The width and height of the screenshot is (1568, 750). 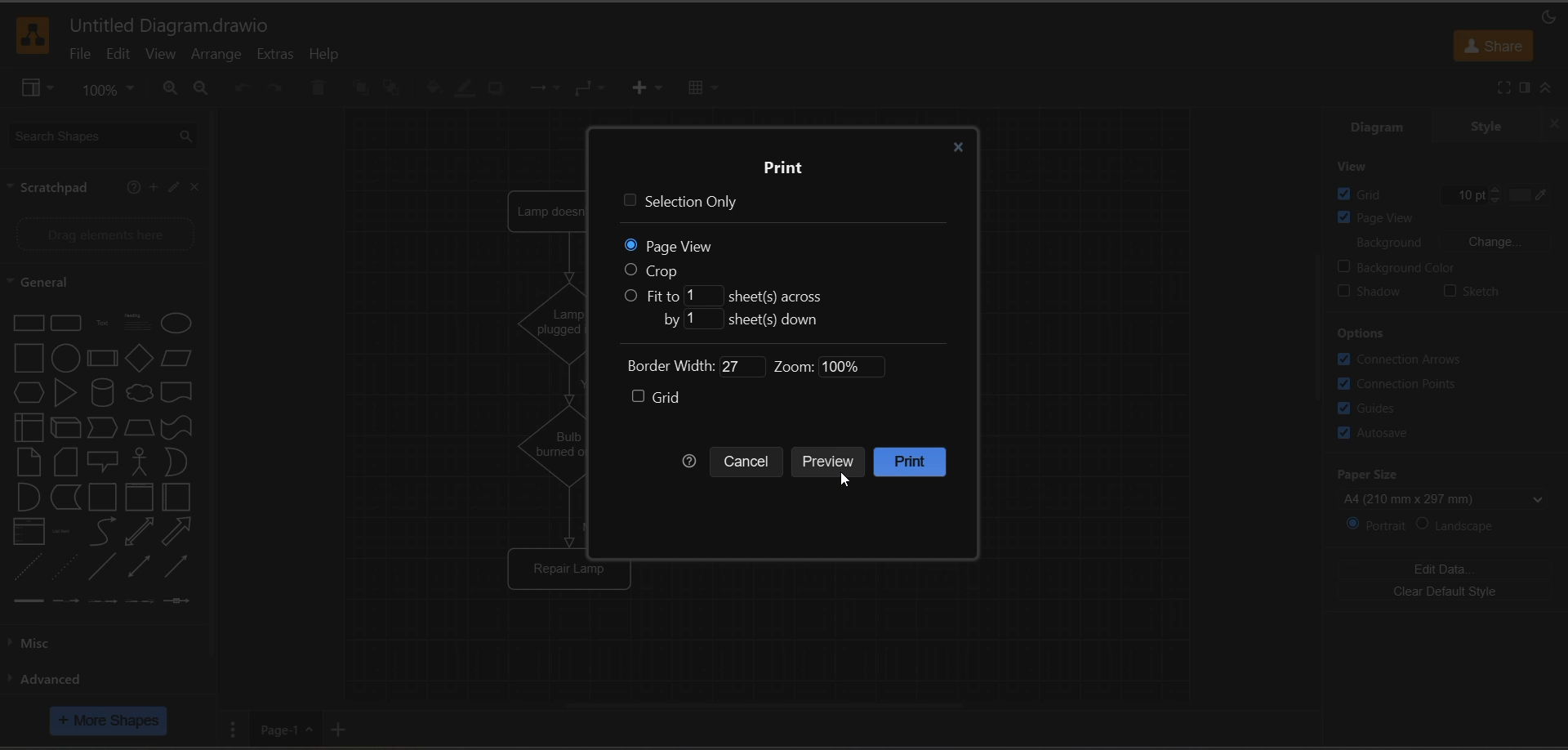 What do you see at coordinates (662, 270) in the screenshot?
I see `crop` at bounding box center [662, 270].